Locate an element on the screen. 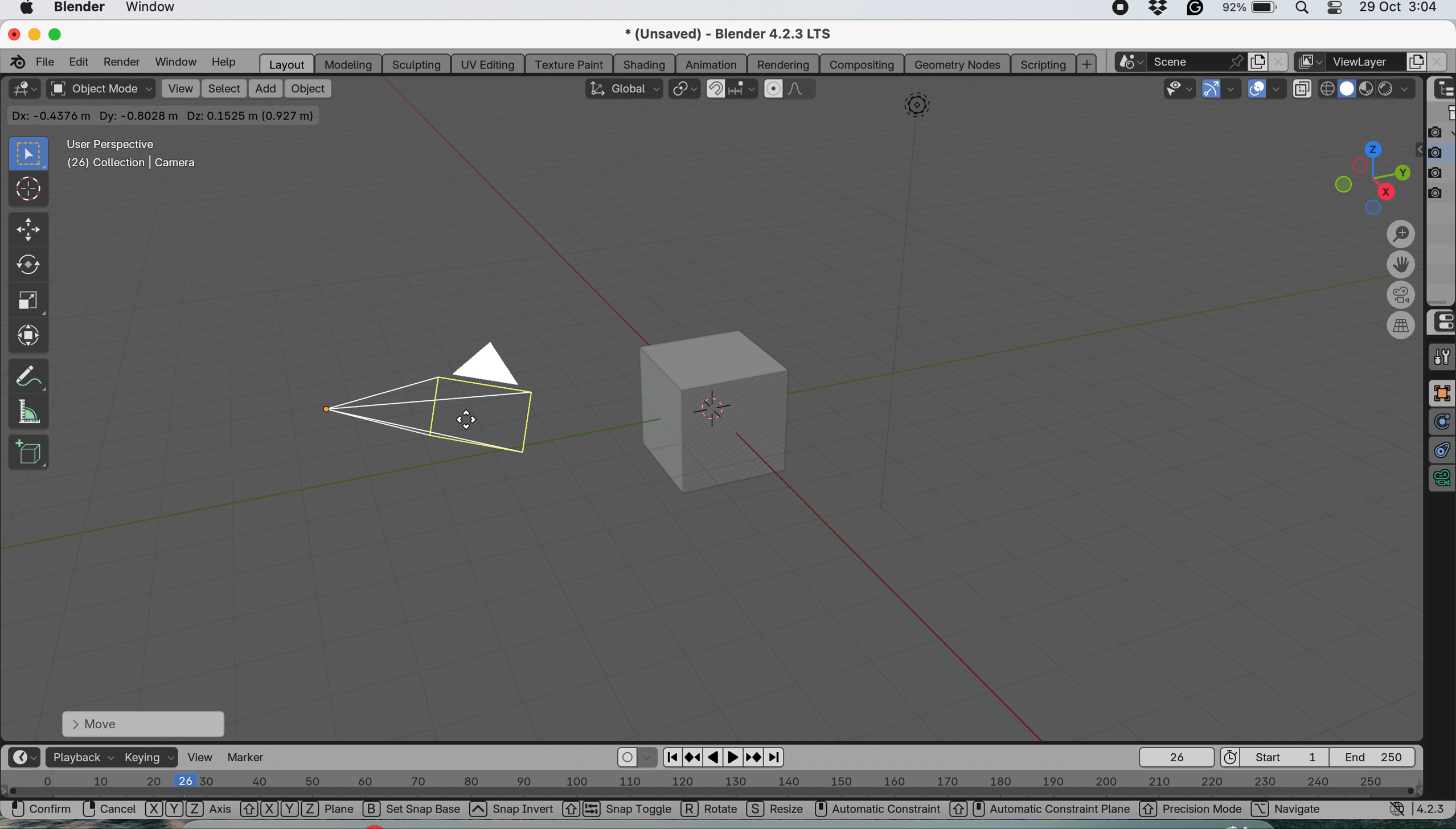 The height and width of the screenshot is (829, 1456). previous is located at coordinates (670, 756).